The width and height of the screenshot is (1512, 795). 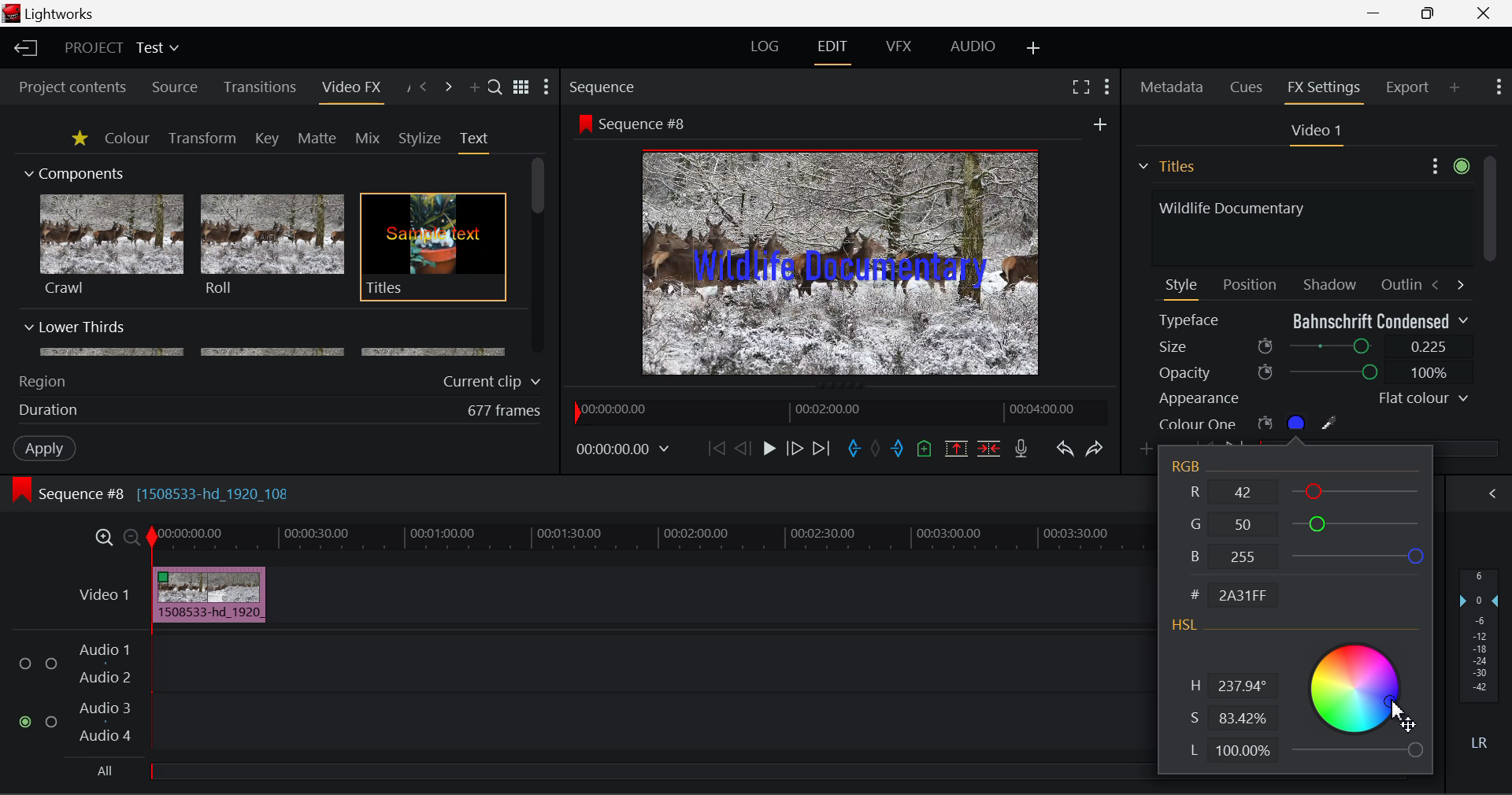 I want to click on Search, so click(x=496, y=86).